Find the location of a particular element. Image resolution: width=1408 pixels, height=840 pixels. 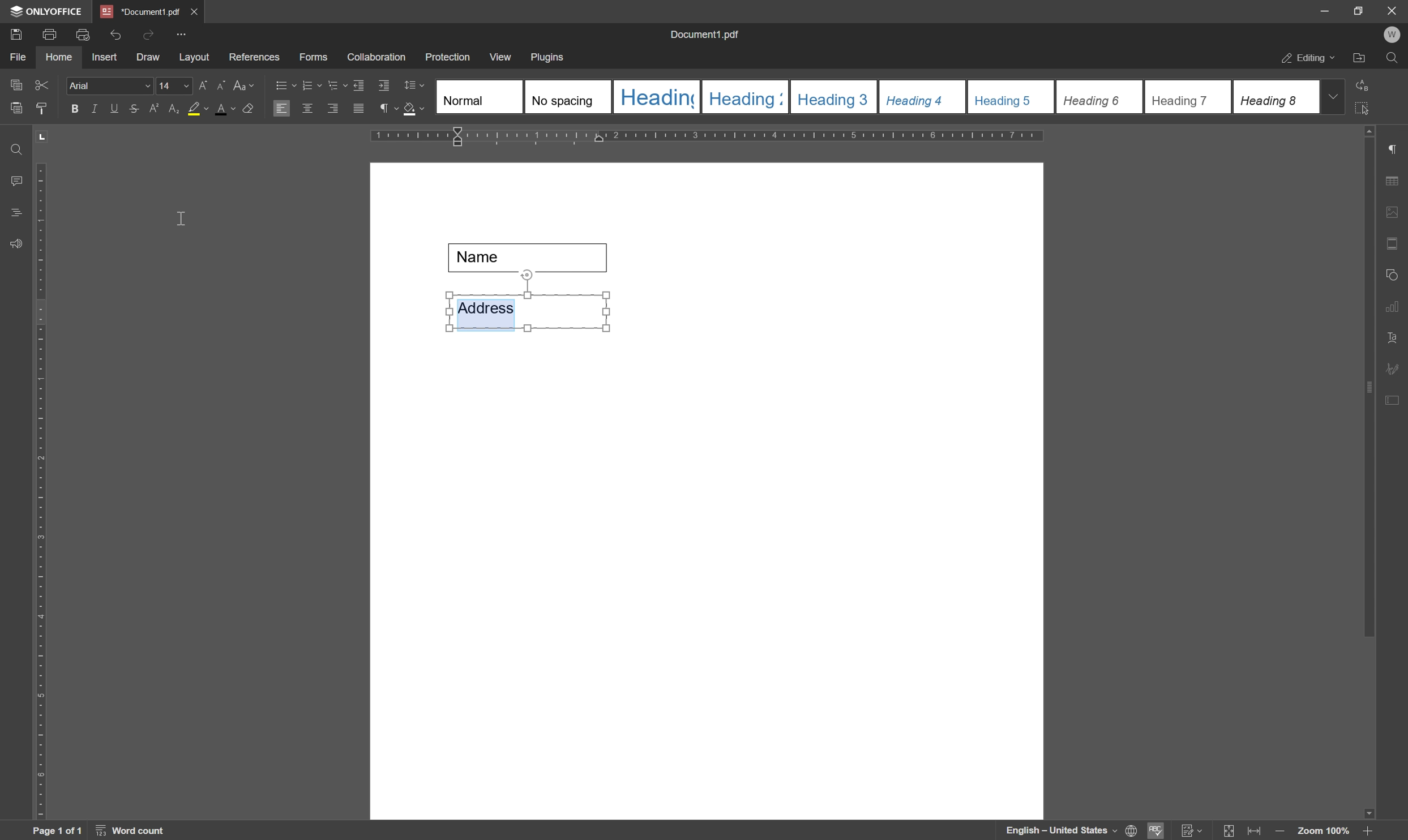

shape is located at coordinates (1395, 272).